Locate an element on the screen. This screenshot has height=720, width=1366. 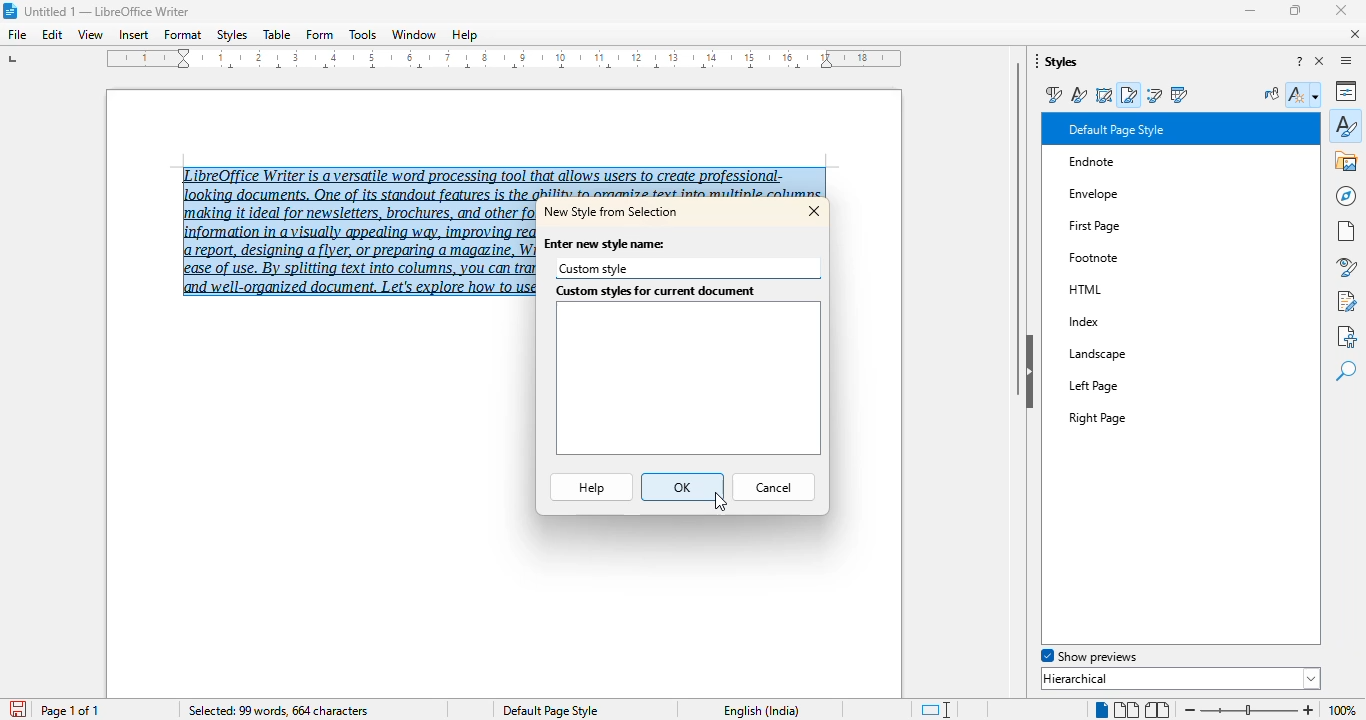
maximize is located at coordinates (1294, 10).